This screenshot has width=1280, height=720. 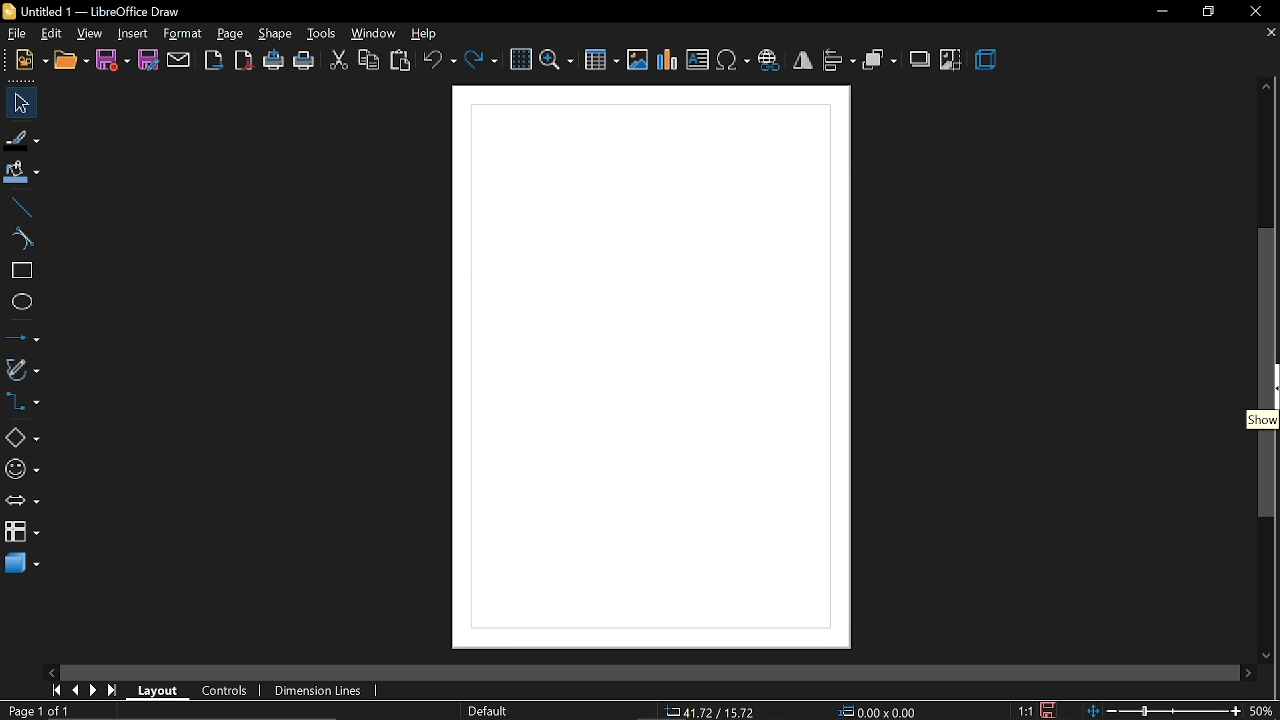 I want to click on paste, so click(x=401, y=60).